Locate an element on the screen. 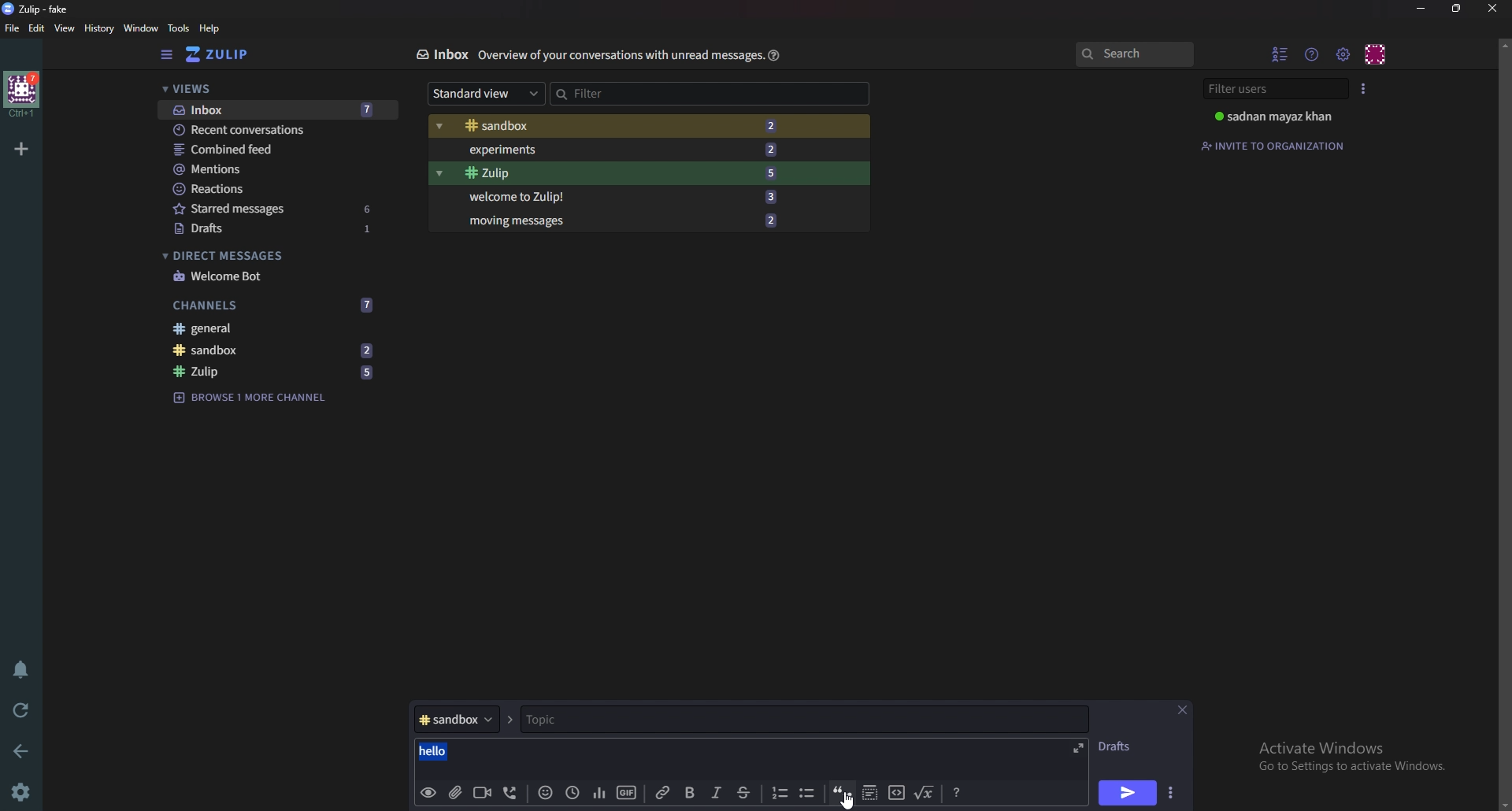 This screenshot has height=811, width=1512. # General is located at coordinates (278, 328).